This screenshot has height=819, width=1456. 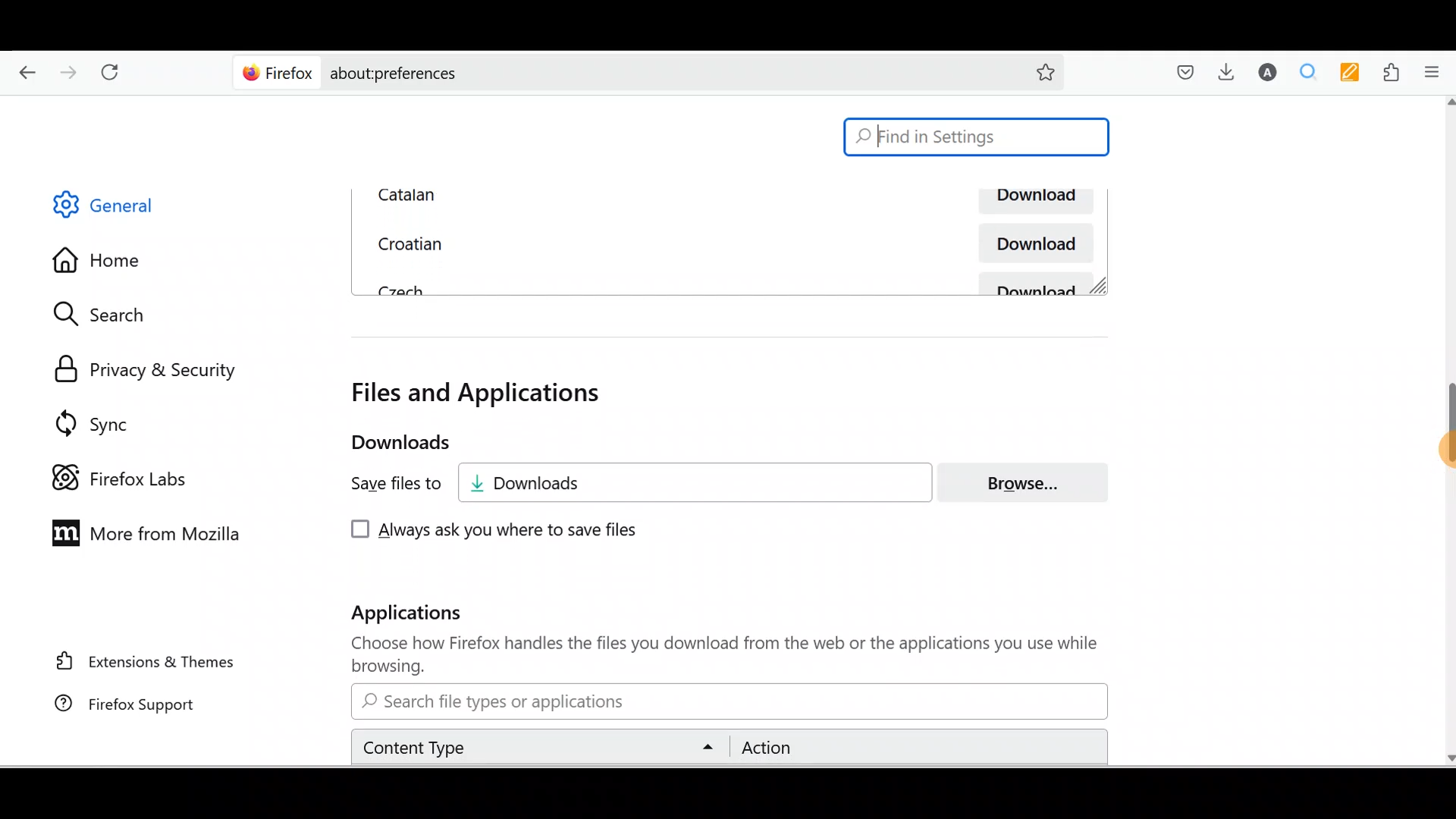 I want to click on Czech, so click(x=397, y=288).